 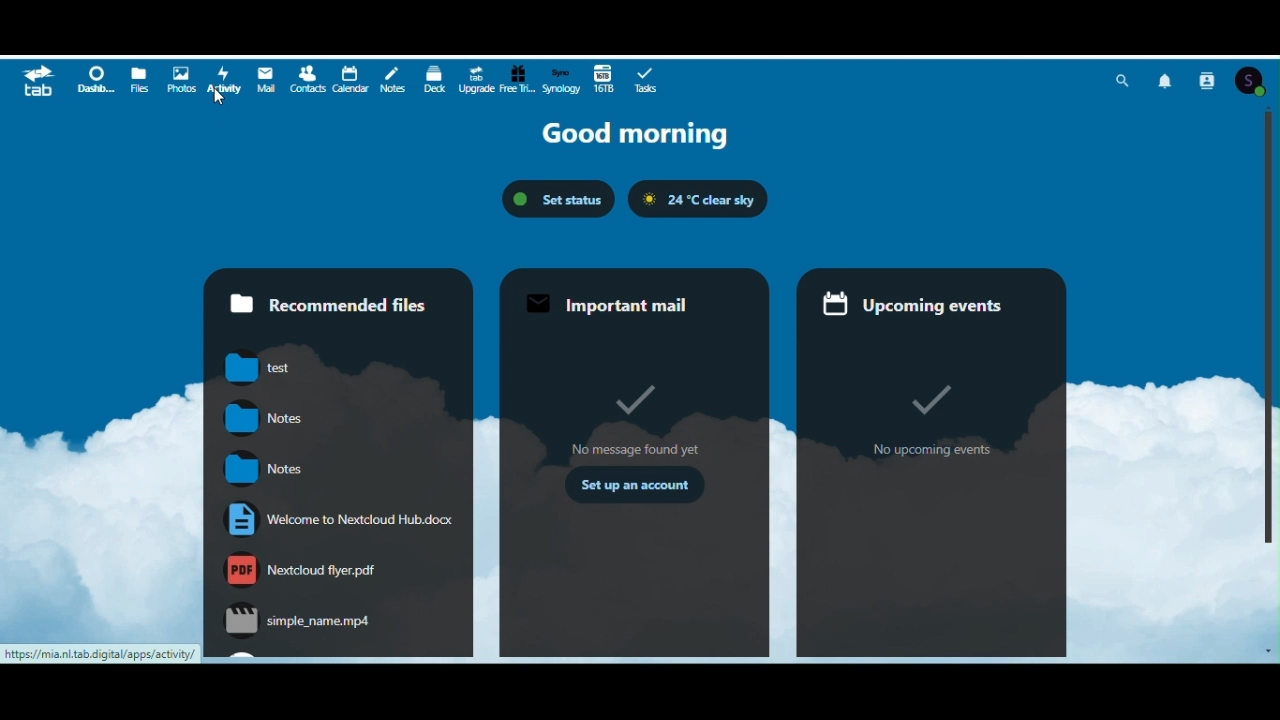 I want to click on Upcoming events, so click(x=935, y=463).